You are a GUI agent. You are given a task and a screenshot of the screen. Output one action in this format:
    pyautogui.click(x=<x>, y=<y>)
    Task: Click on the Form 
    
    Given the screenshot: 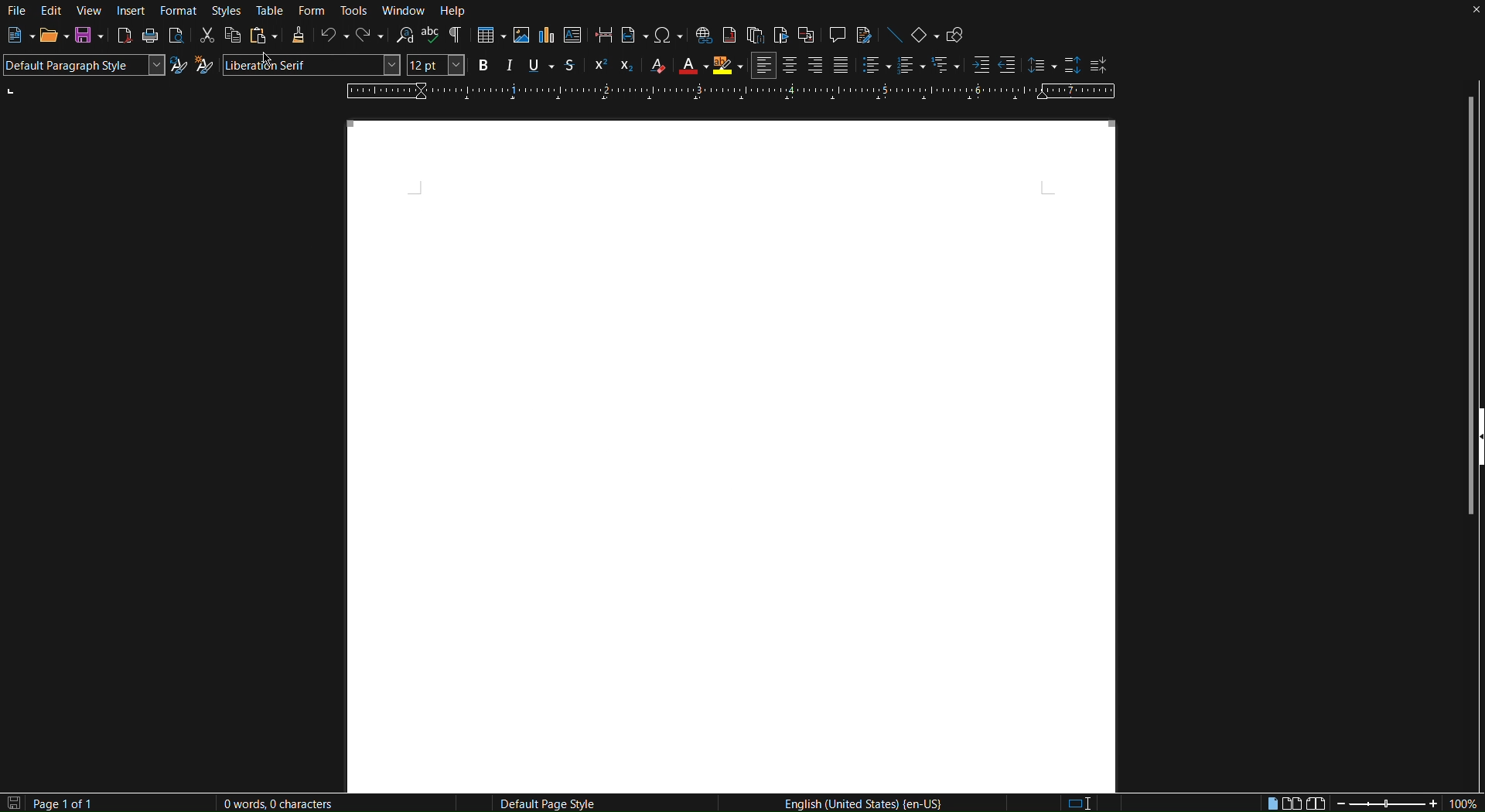 What is the action you would take?
    pyautogui.click(x=312, y=11)
    